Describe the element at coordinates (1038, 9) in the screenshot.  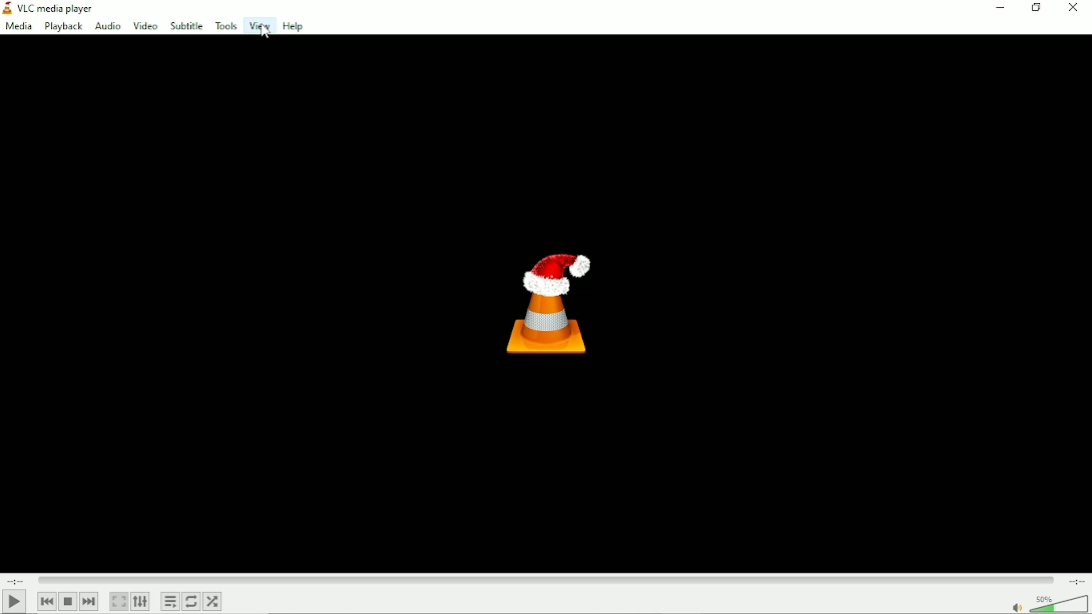
I see `Restore down` at that location.